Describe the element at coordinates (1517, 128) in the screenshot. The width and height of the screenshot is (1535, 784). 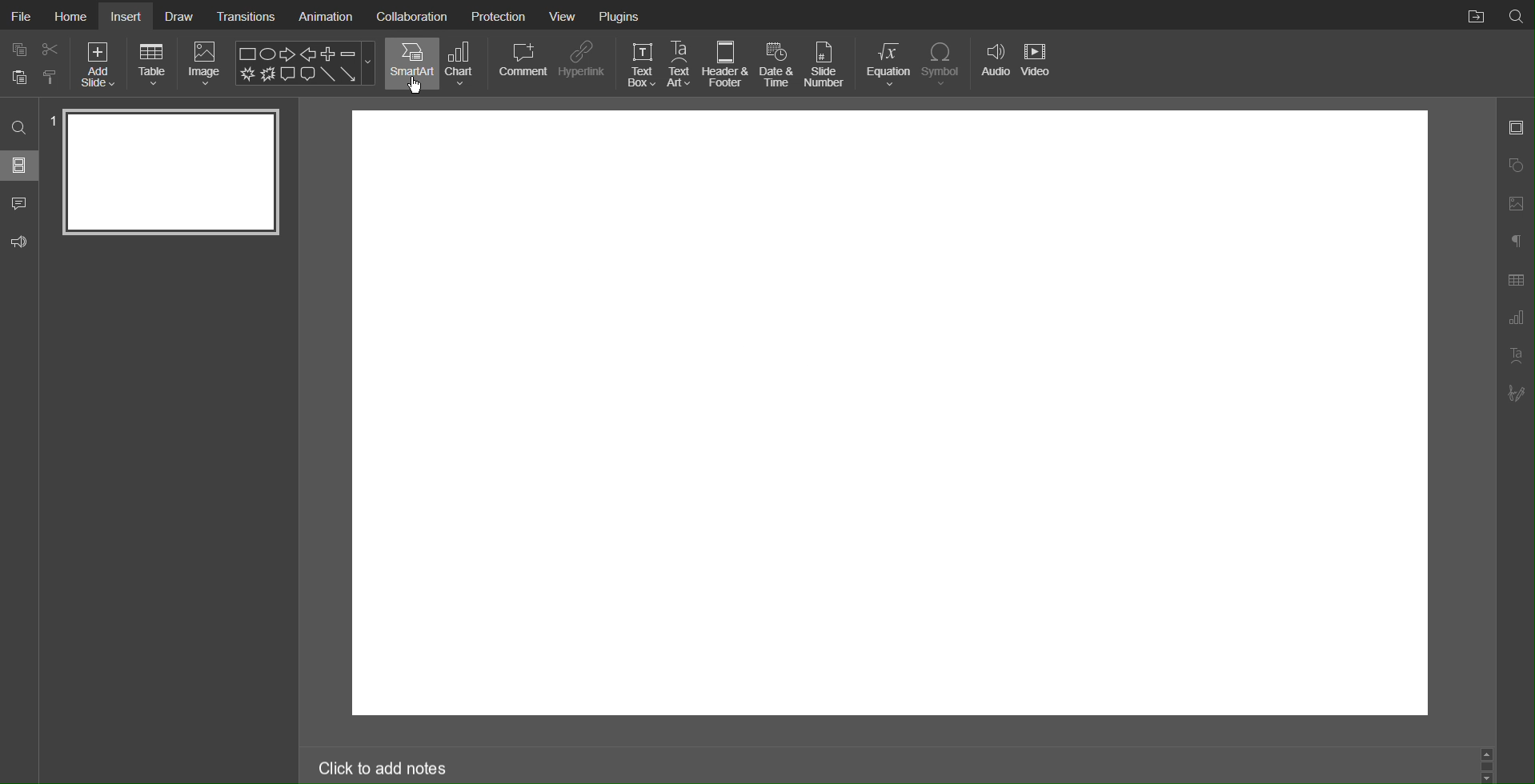
I see `Slide Settings` at that location.